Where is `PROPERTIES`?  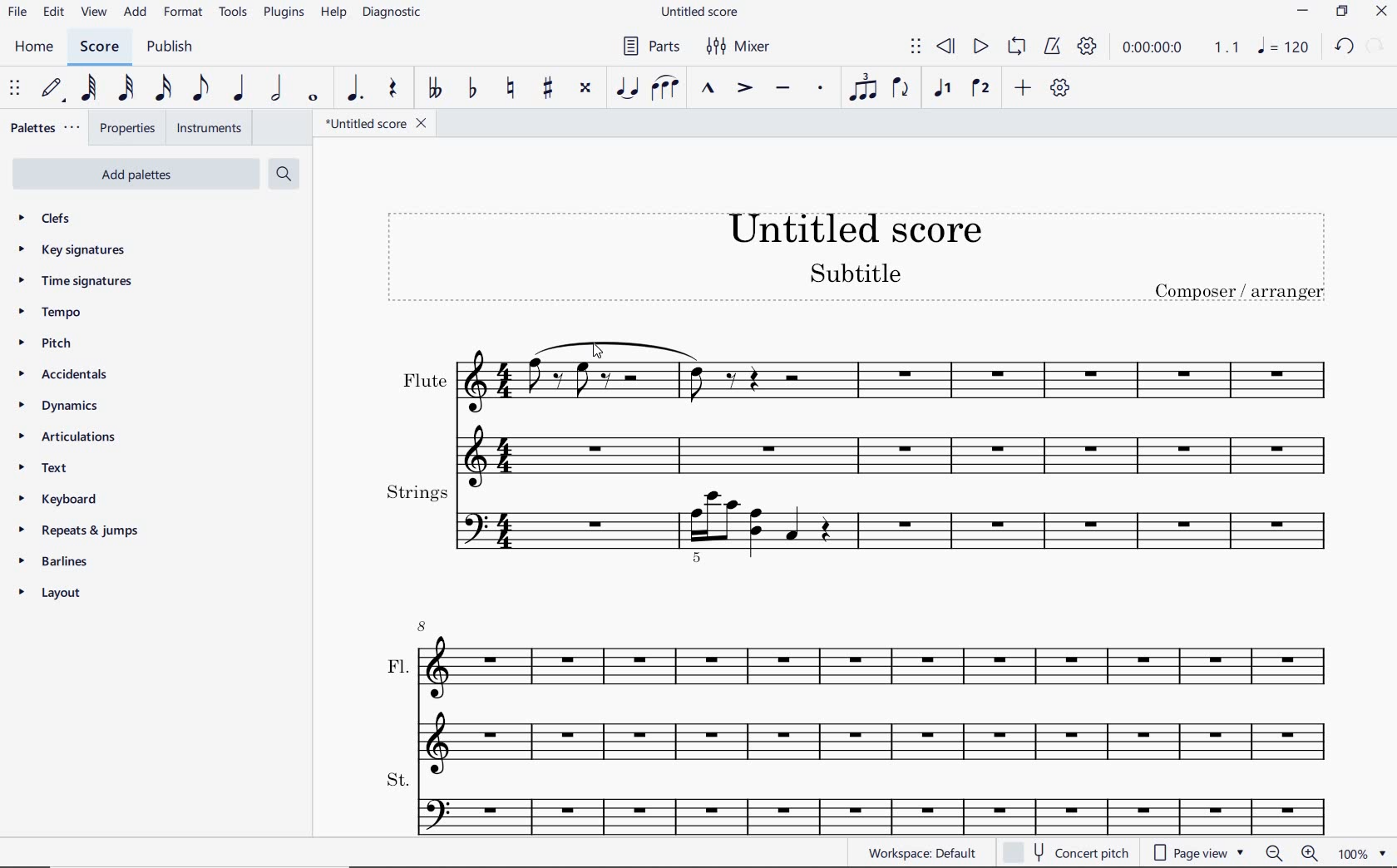
PROPERTIES is located at coordinates (130, 128).